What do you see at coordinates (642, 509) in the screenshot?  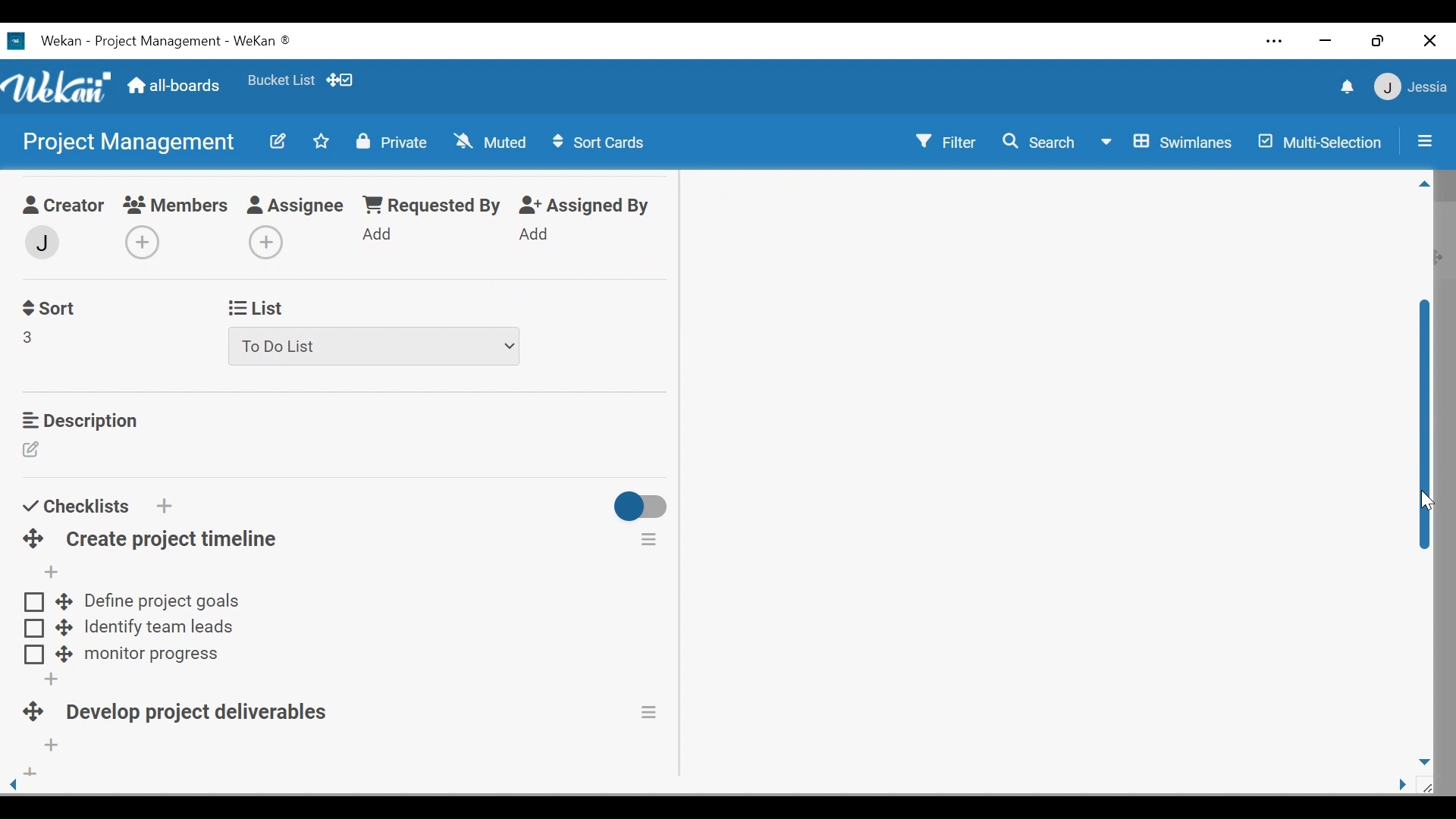 I see `Toggle show/hide checklist` at bounding box center [642, 509].